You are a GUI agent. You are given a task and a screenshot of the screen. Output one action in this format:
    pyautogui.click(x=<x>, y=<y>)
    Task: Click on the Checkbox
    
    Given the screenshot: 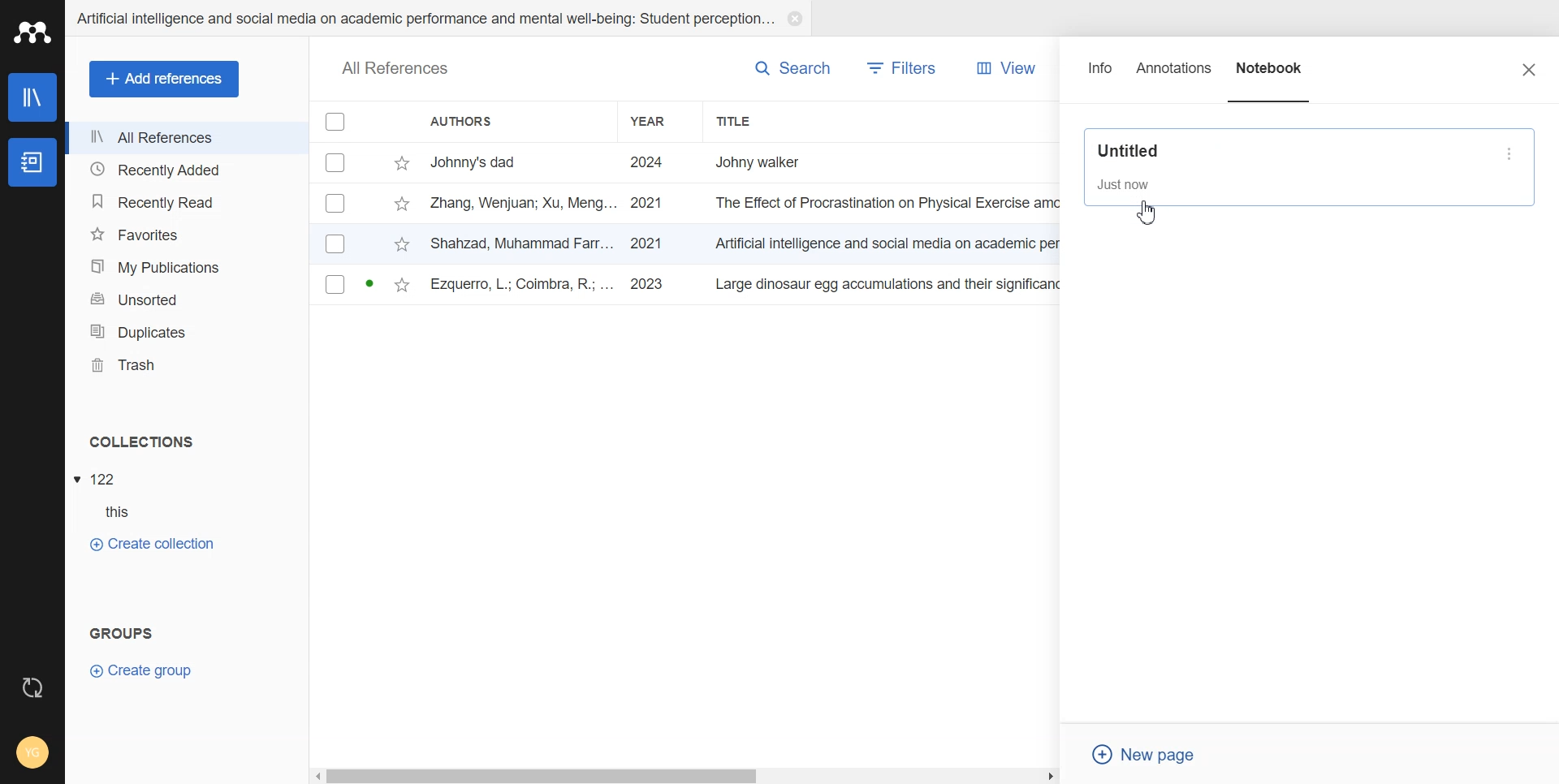 What is the action you would take?
    pyautogui.click(x=338, y=162)
    